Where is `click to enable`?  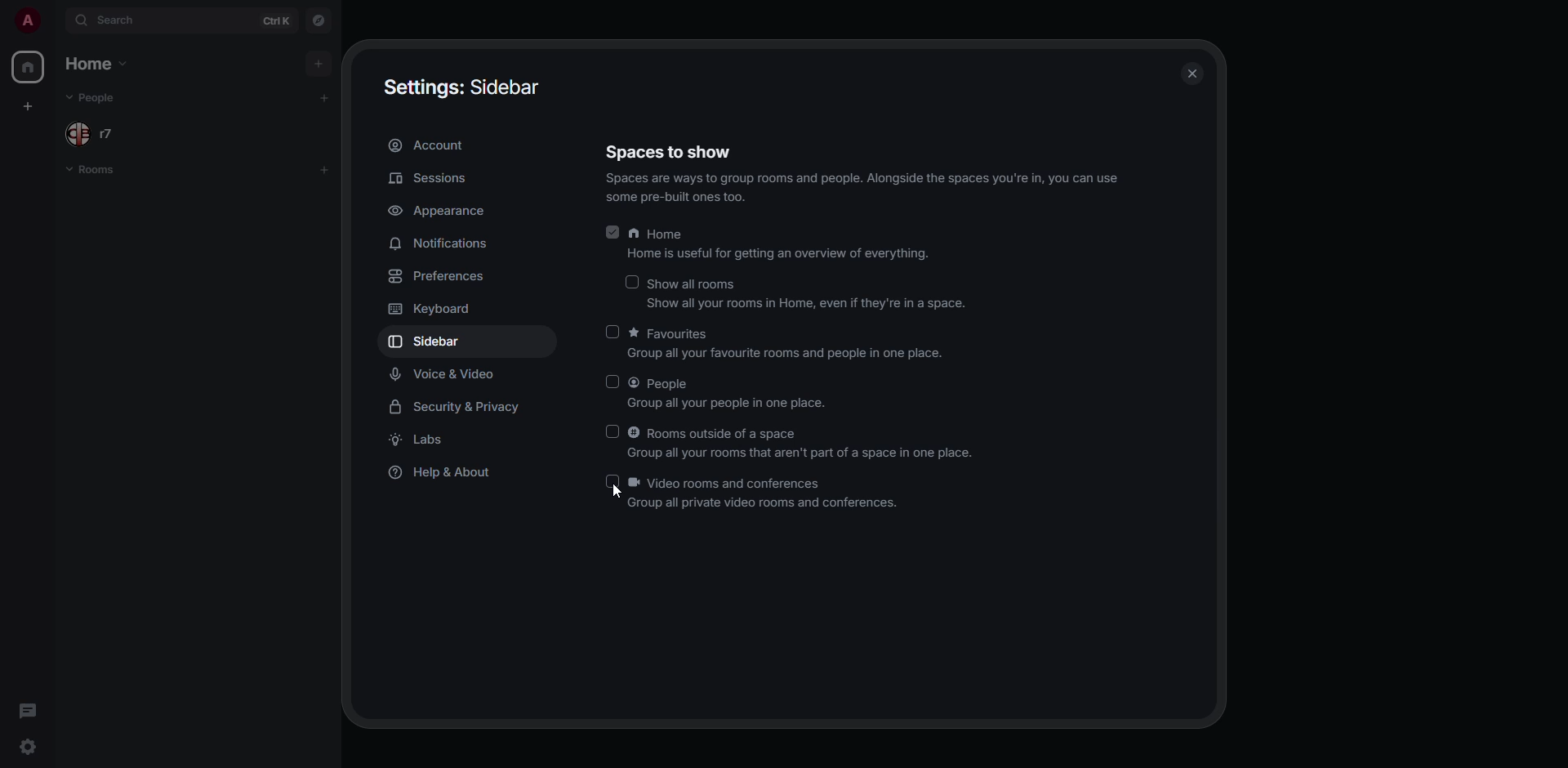 click to enable is located at coordinates (610, 330).